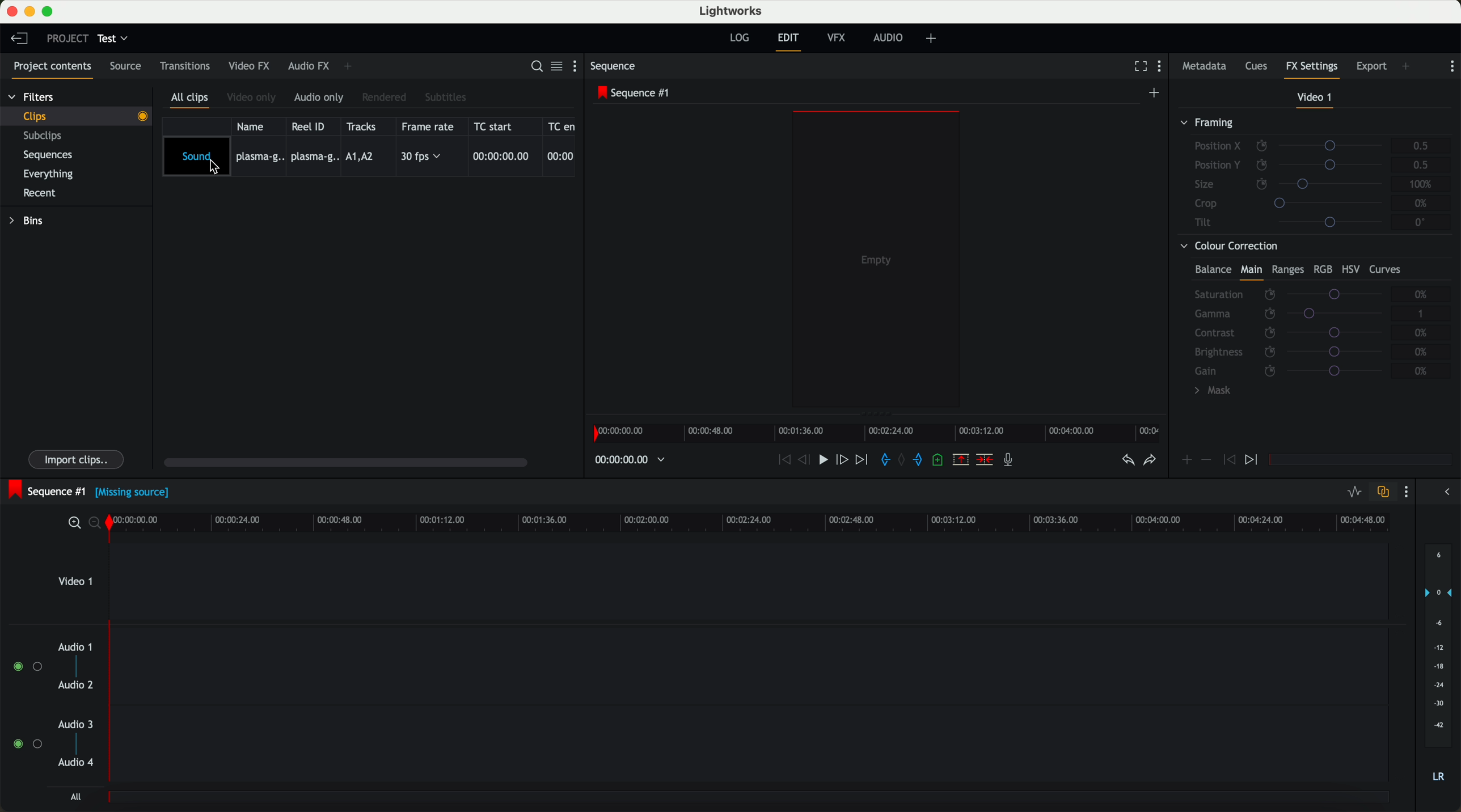 This screenshot has width=1461, height=812. What do you see at coordinates (782, 460) in the screenshot?
I see `move backward` at bounding box center [782, 460].